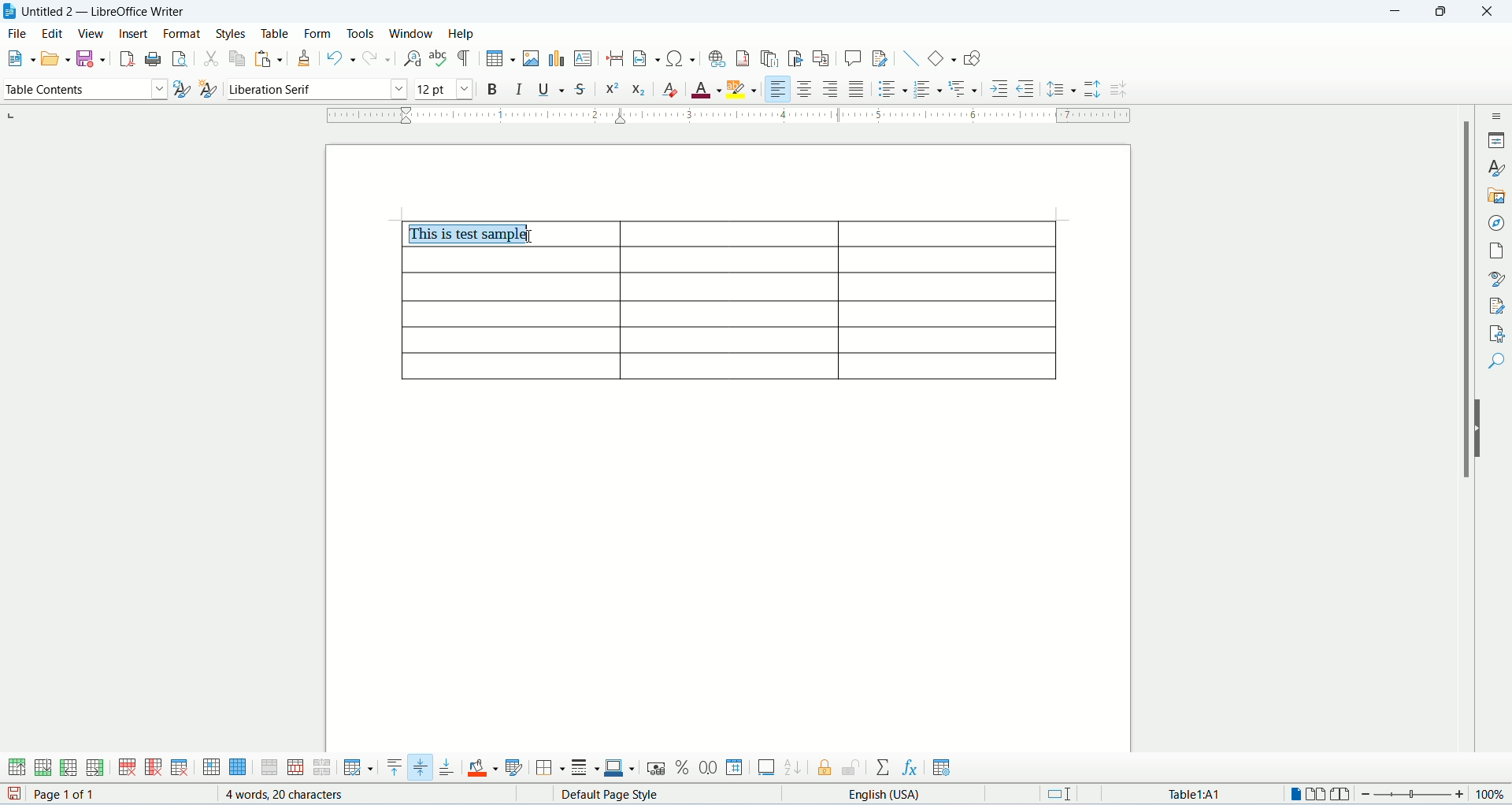 Image resolution: width=1512 pixels, height=805 pixels. I want to click on line spacing, so click(1062, 89).